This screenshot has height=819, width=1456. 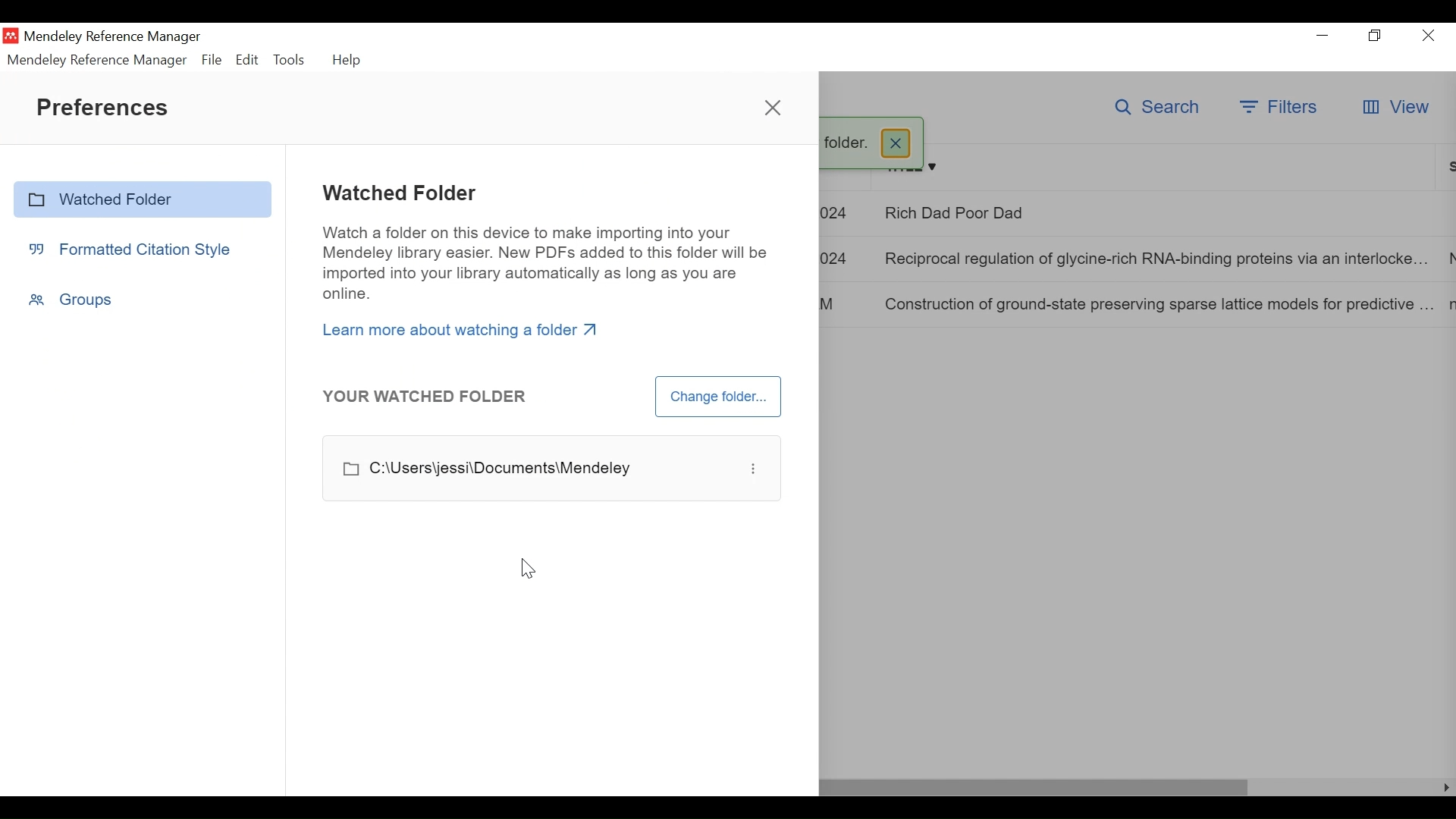 What do you see at coordinates (399, 192) in the screenshot?
I see `Watched Folder` at bounding box center [399, 192].